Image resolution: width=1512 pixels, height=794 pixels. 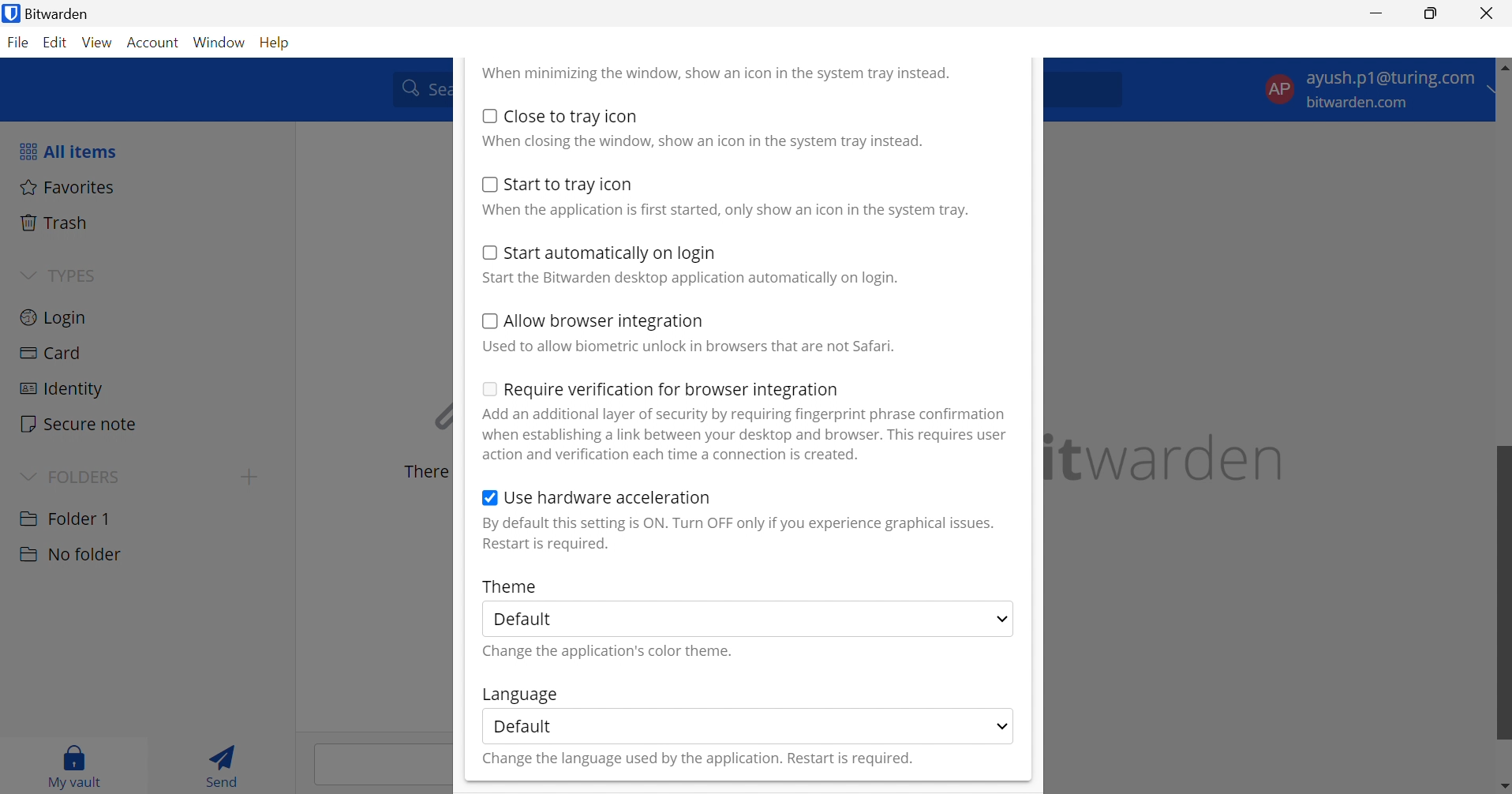 What do you see at coordinates (54, 316) in the screenshot?
I see `Login` at bounding box center [54, 316].